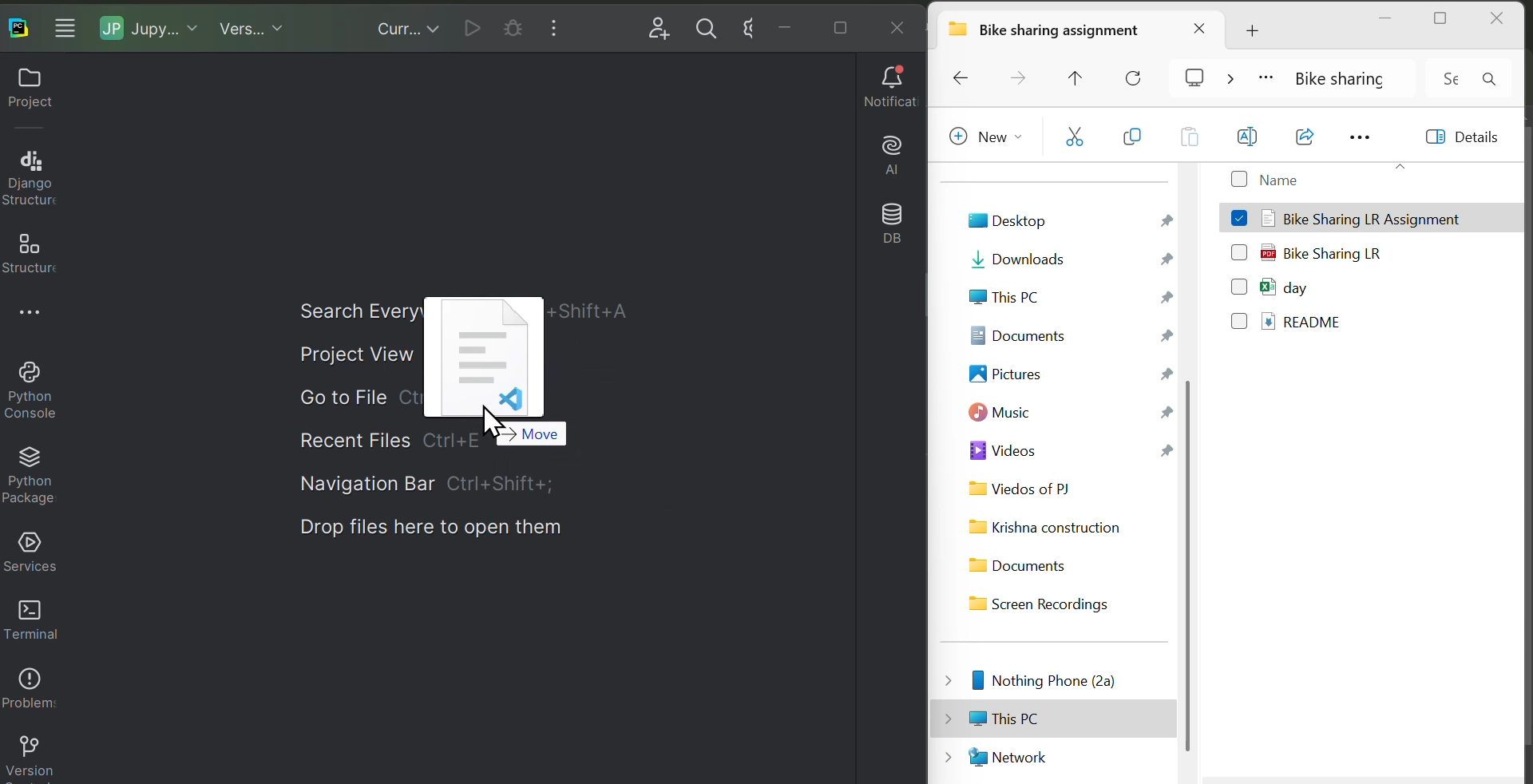 The height and width of the screenshot is (784, 1533). What do you see at coordinates (788, 27) in the screenshot?
I see `minimise` at bounding box center [788, 27].